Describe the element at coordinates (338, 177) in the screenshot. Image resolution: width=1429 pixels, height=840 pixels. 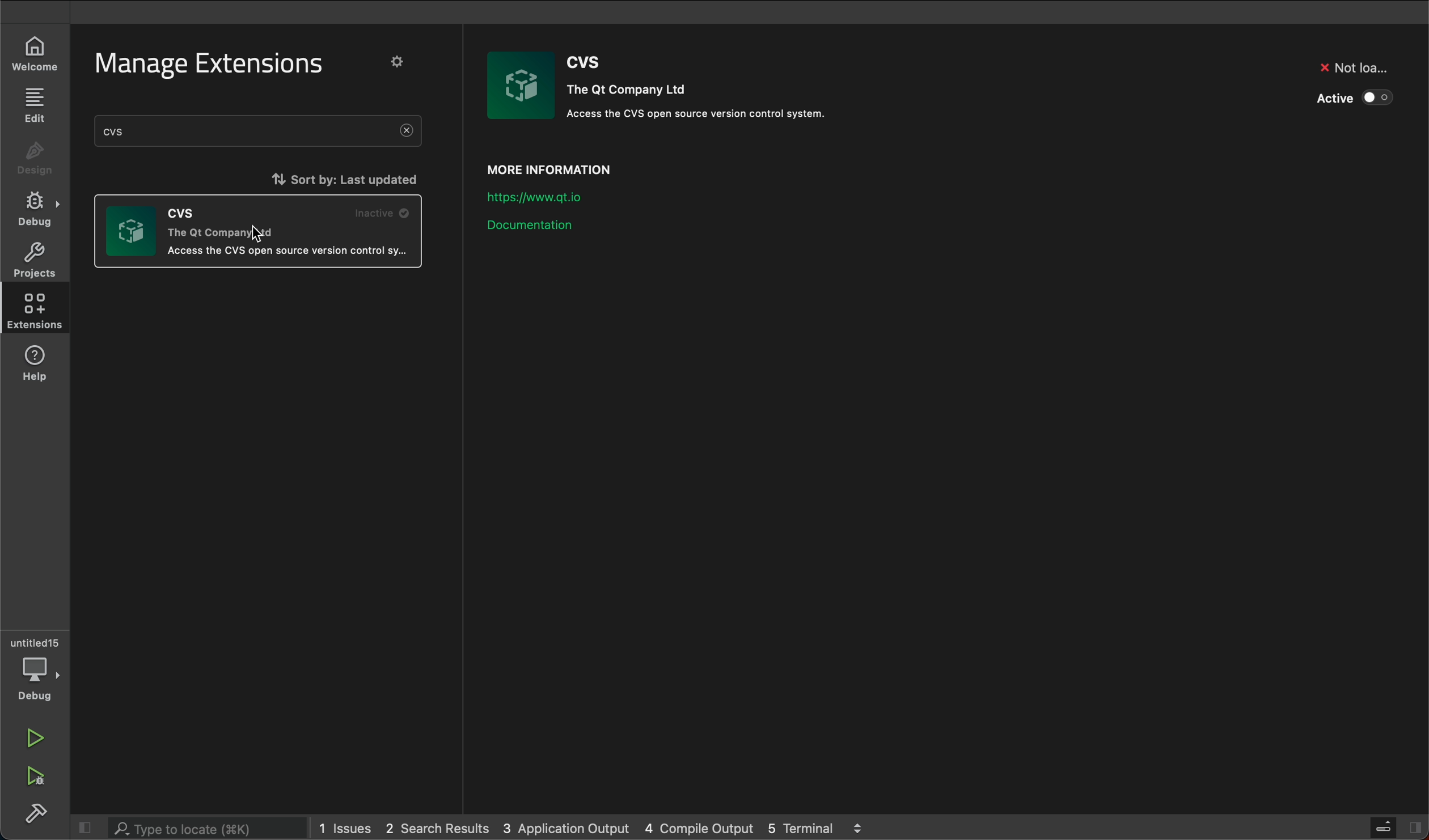
I see `sort` at that location.